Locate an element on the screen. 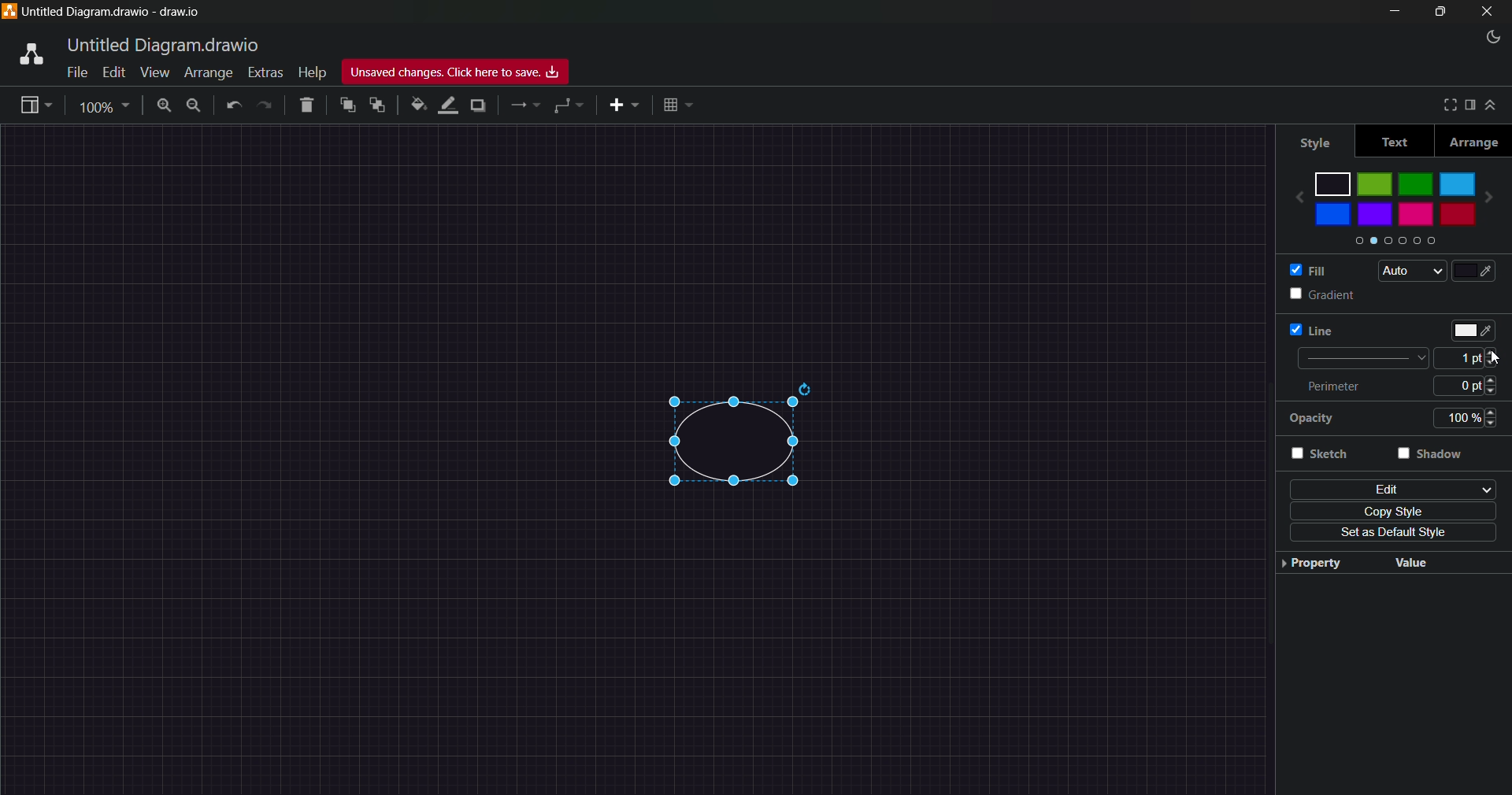  insert is located at coordinates (625, 105).